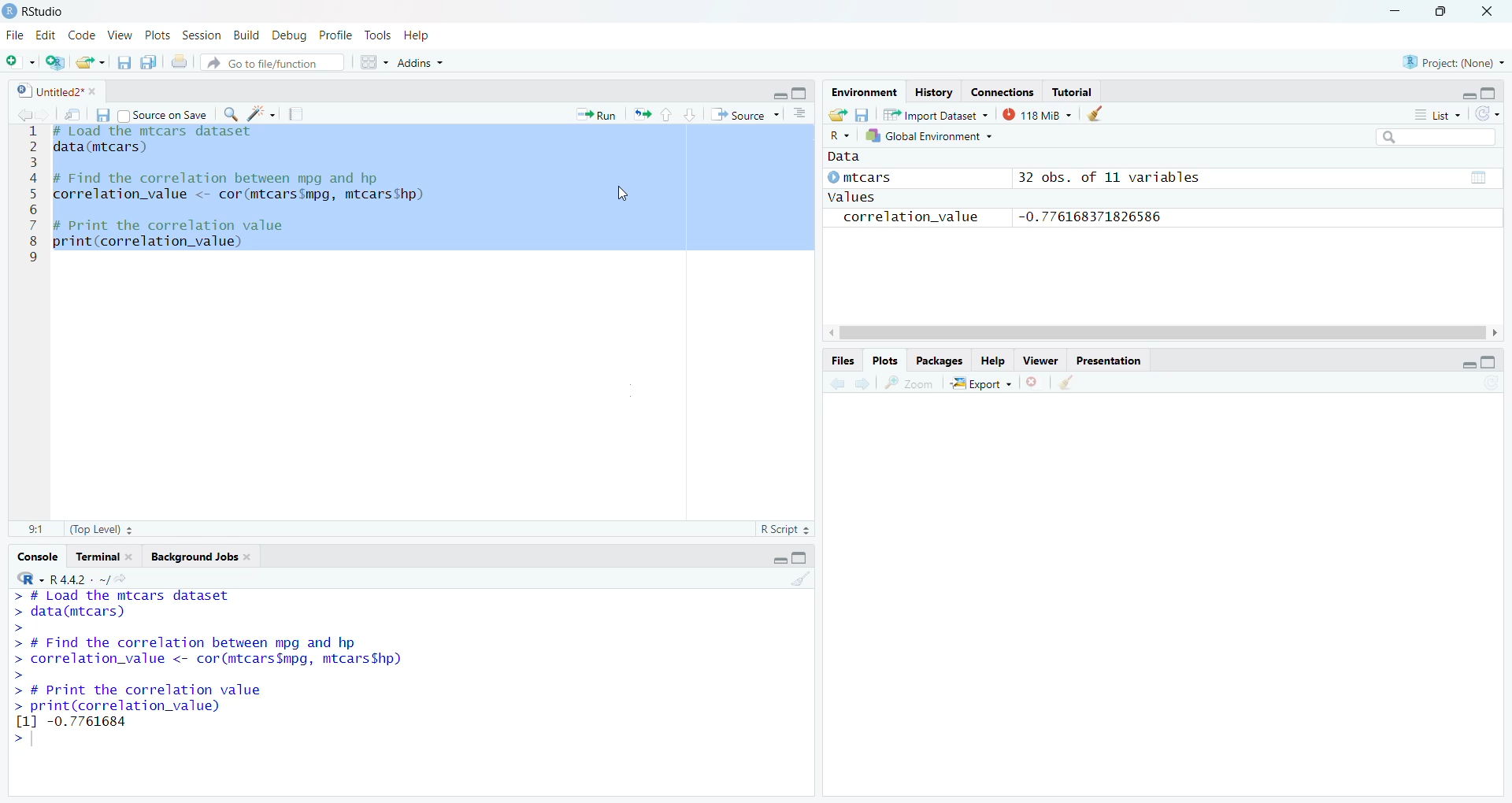  What do you see at coordinates (44, 113) in the screenshot?
I see `Go forward to the next source location (Ctrl + F10)` at bounding box center [44, 113].